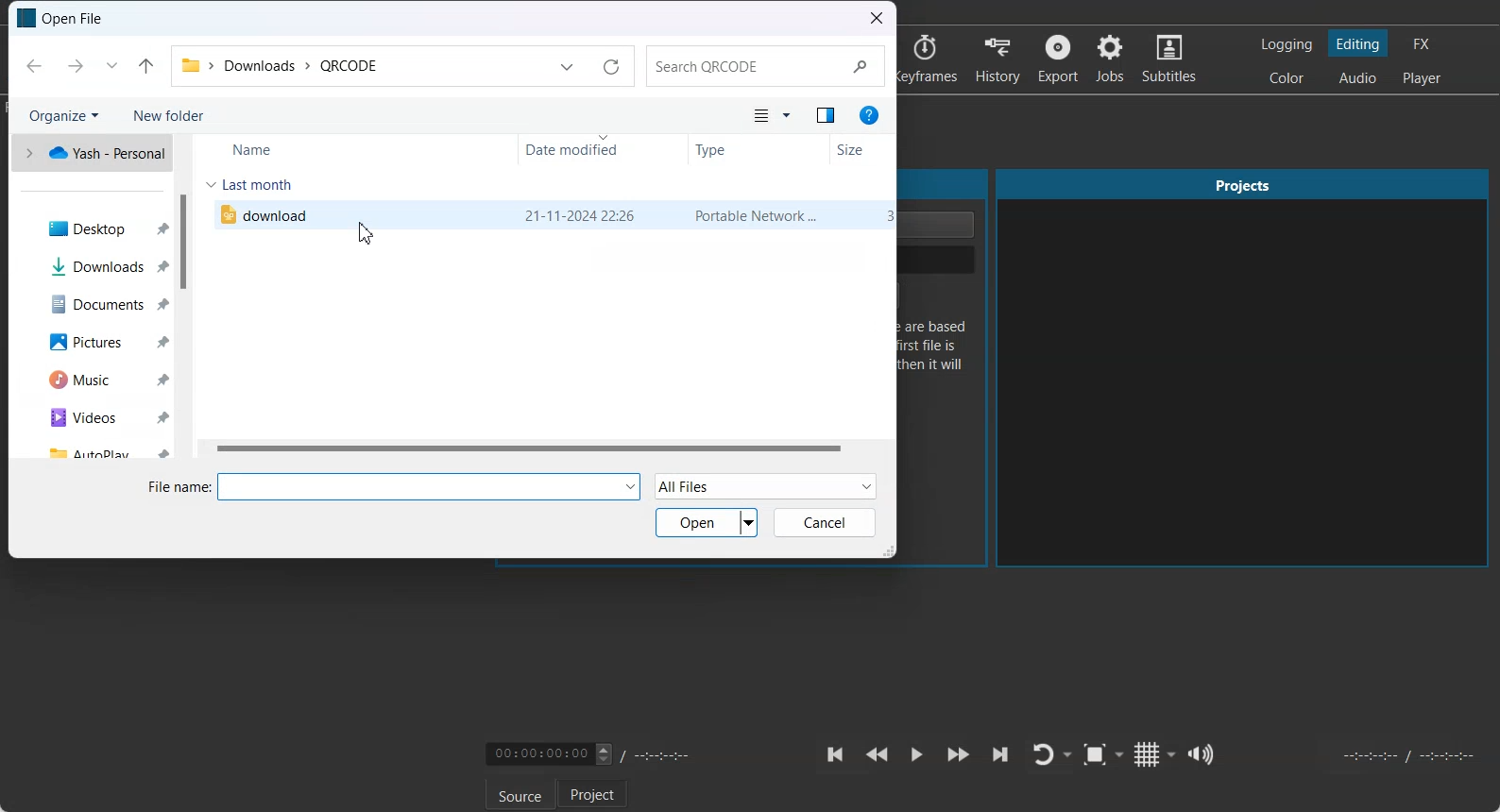 The image size is (1500, 812). I want to click on Toggle player lopping, so click(1040, 755).